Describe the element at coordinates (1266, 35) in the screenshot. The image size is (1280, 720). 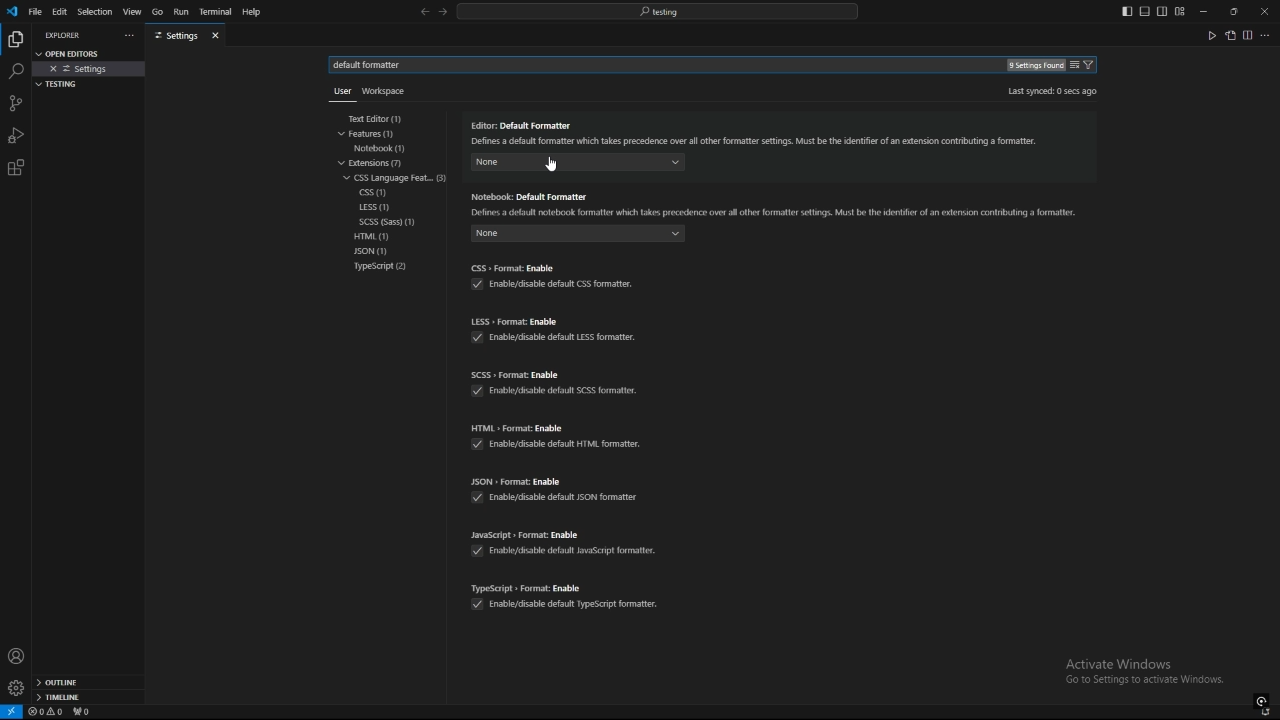
I see `more actions` at that location.